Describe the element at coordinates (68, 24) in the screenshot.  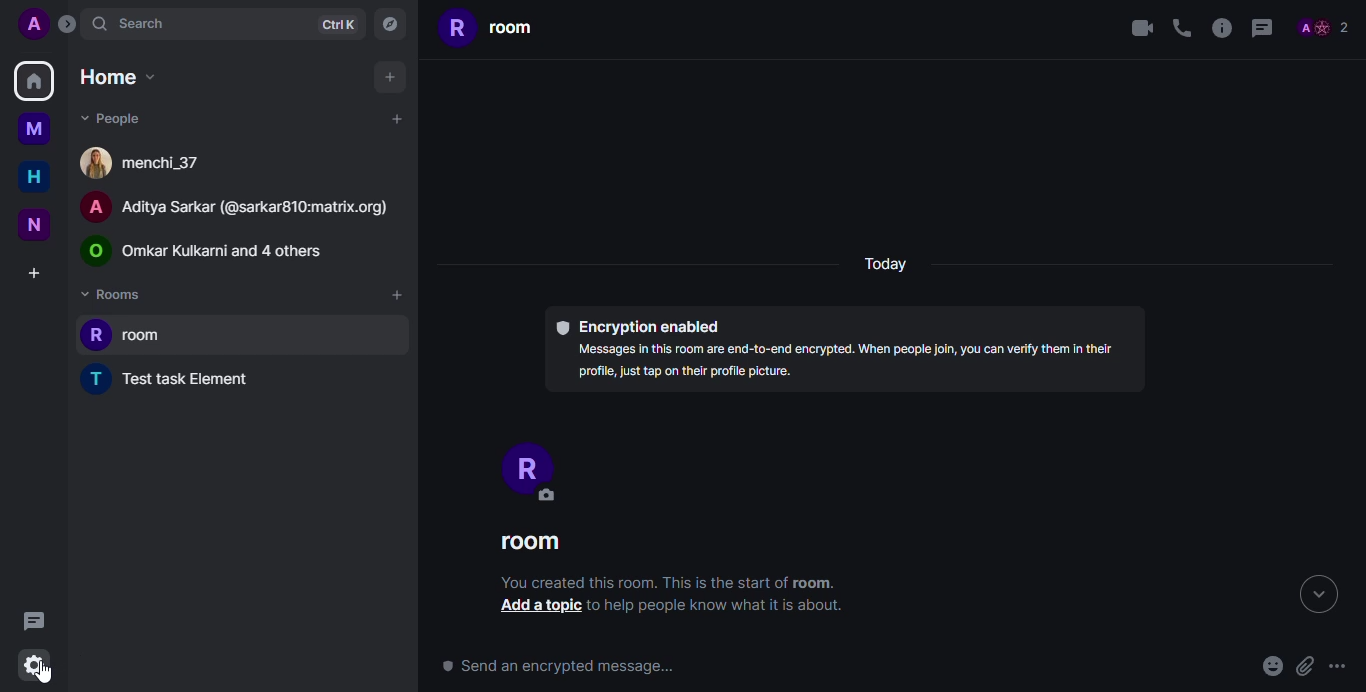
I see `expand` at that location.